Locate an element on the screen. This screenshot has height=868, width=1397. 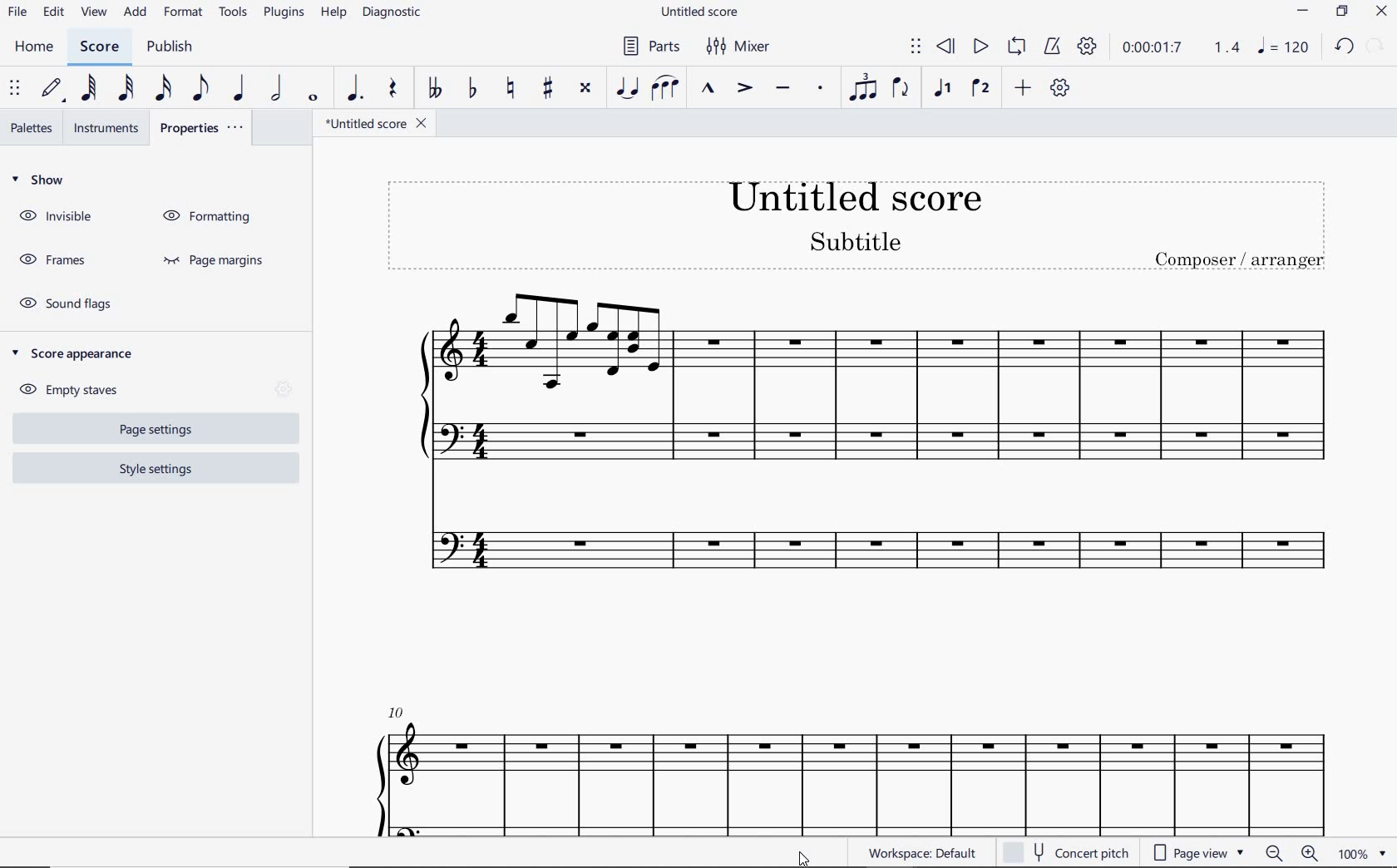
FLIP DIRECTION is located at coordinates (902, 89).